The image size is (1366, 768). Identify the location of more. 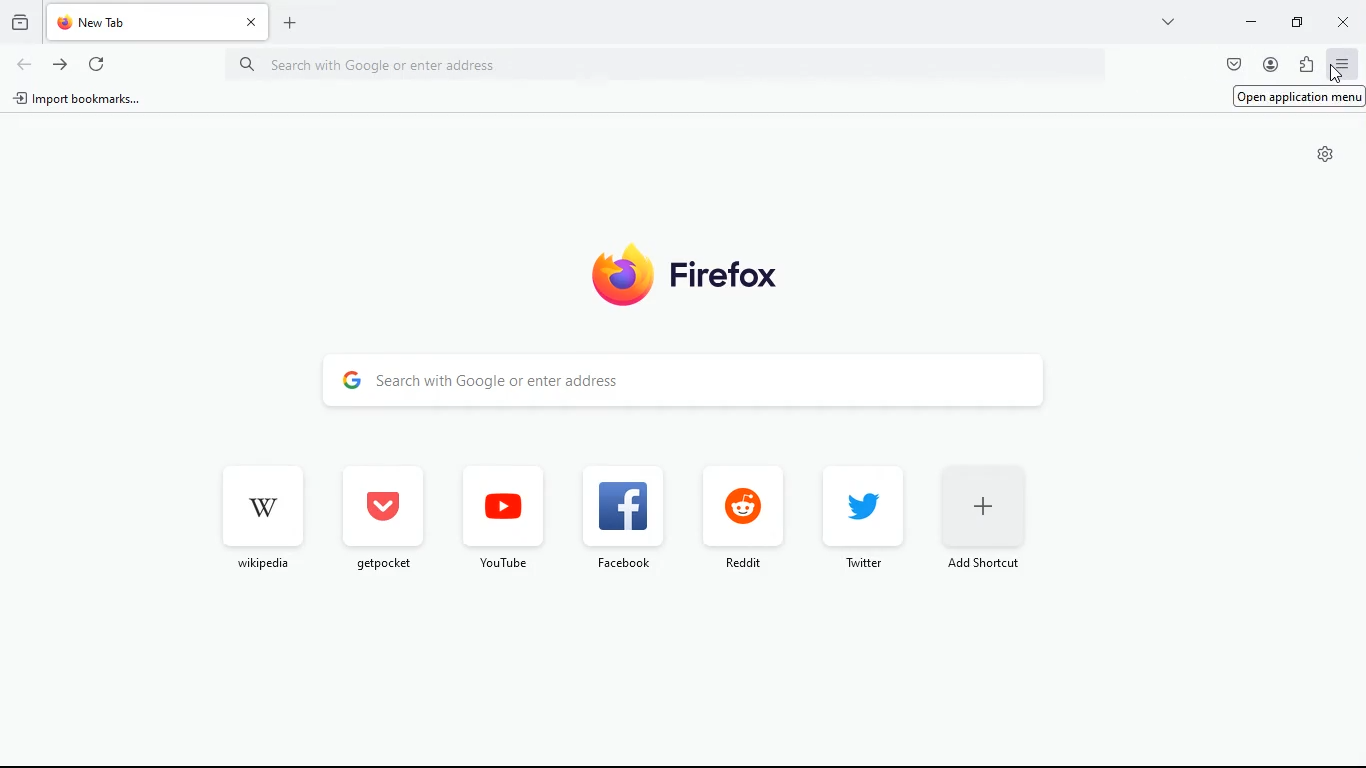
(1170, 22).